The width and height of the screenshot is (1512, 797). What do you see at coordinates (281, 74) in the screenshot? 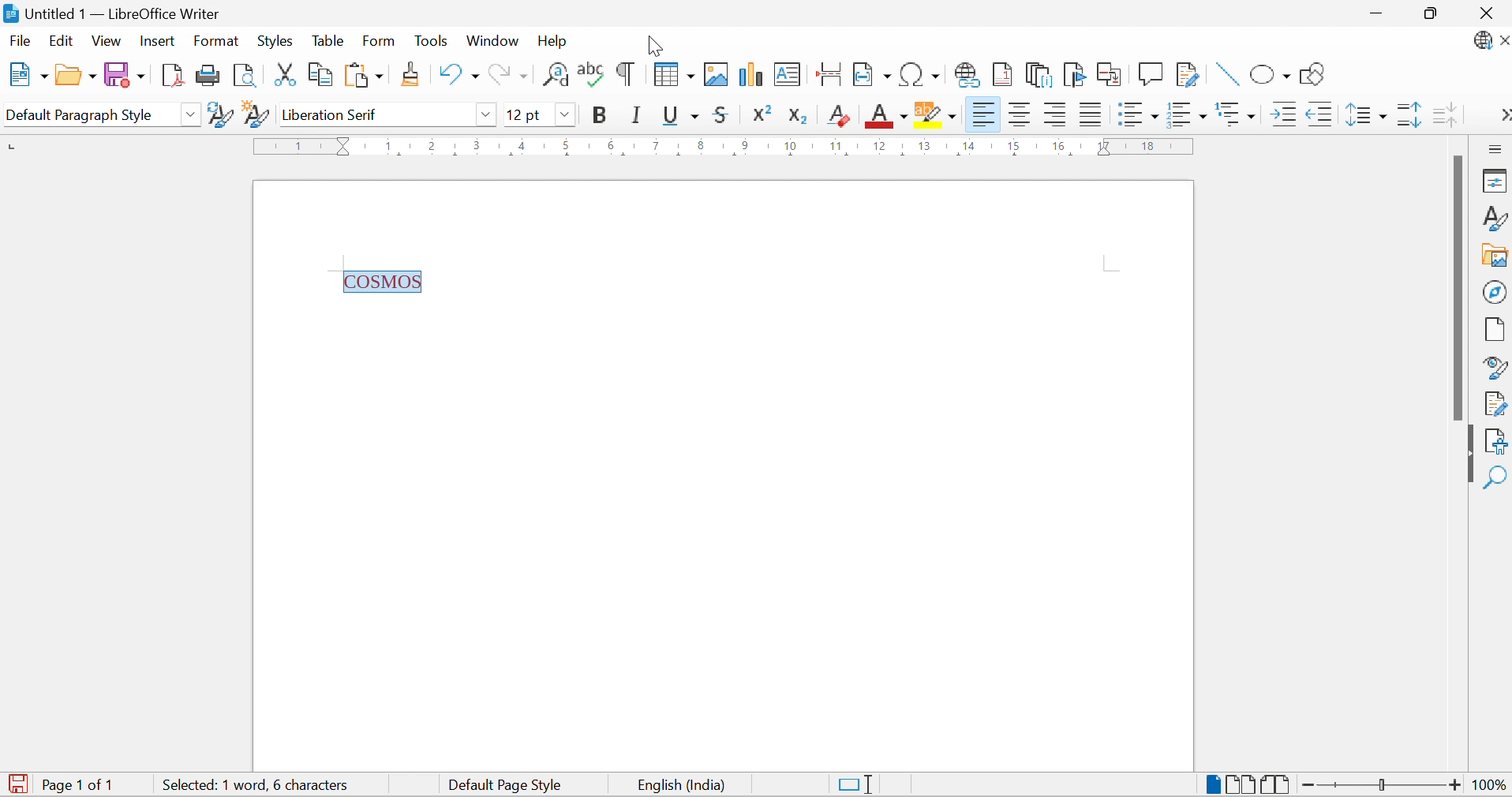
I see `Cut` at bounding box center [281, 74].